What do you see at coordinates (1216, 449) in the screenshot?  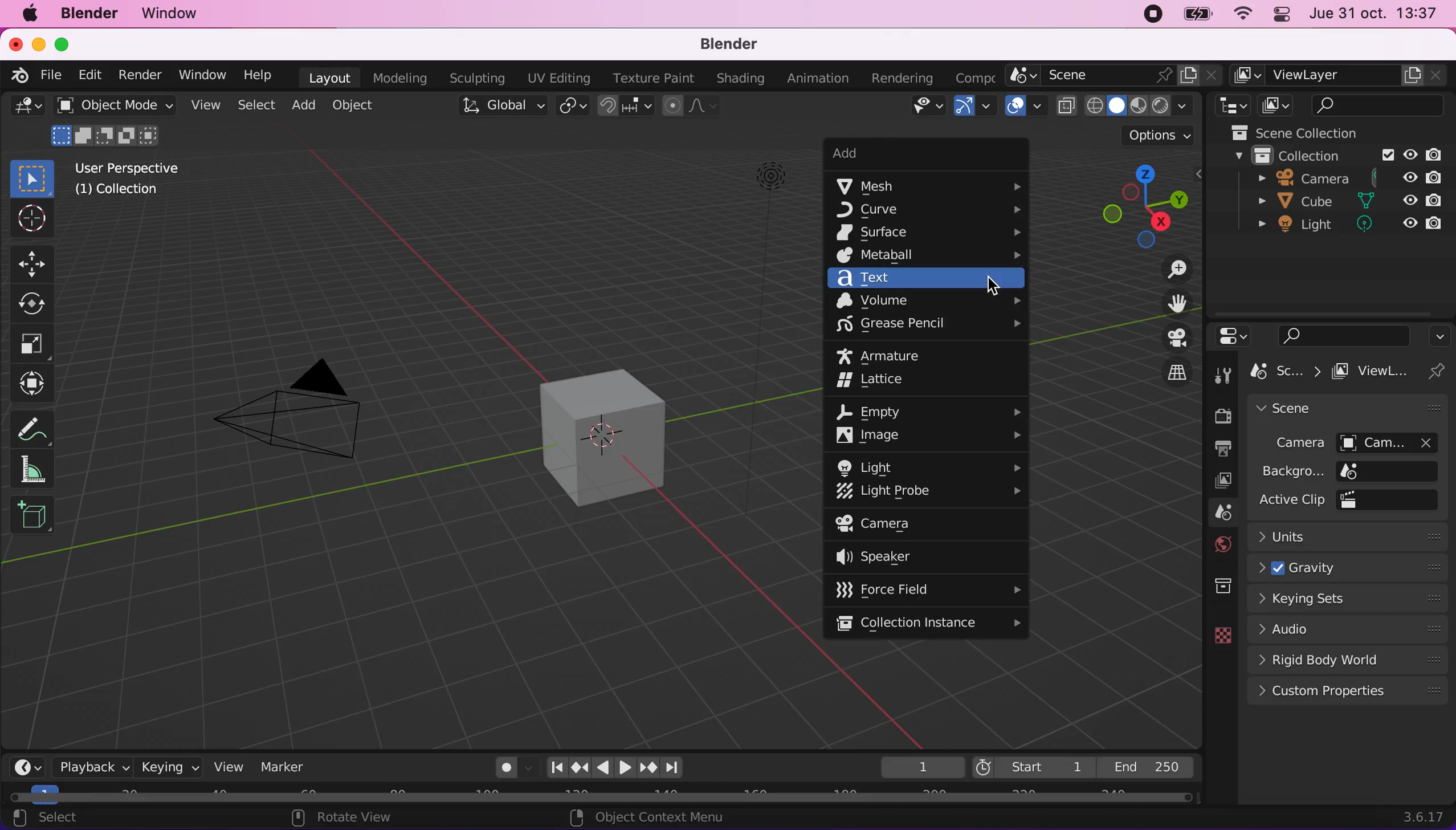 I see `output` at bounding box center [1216, 449].